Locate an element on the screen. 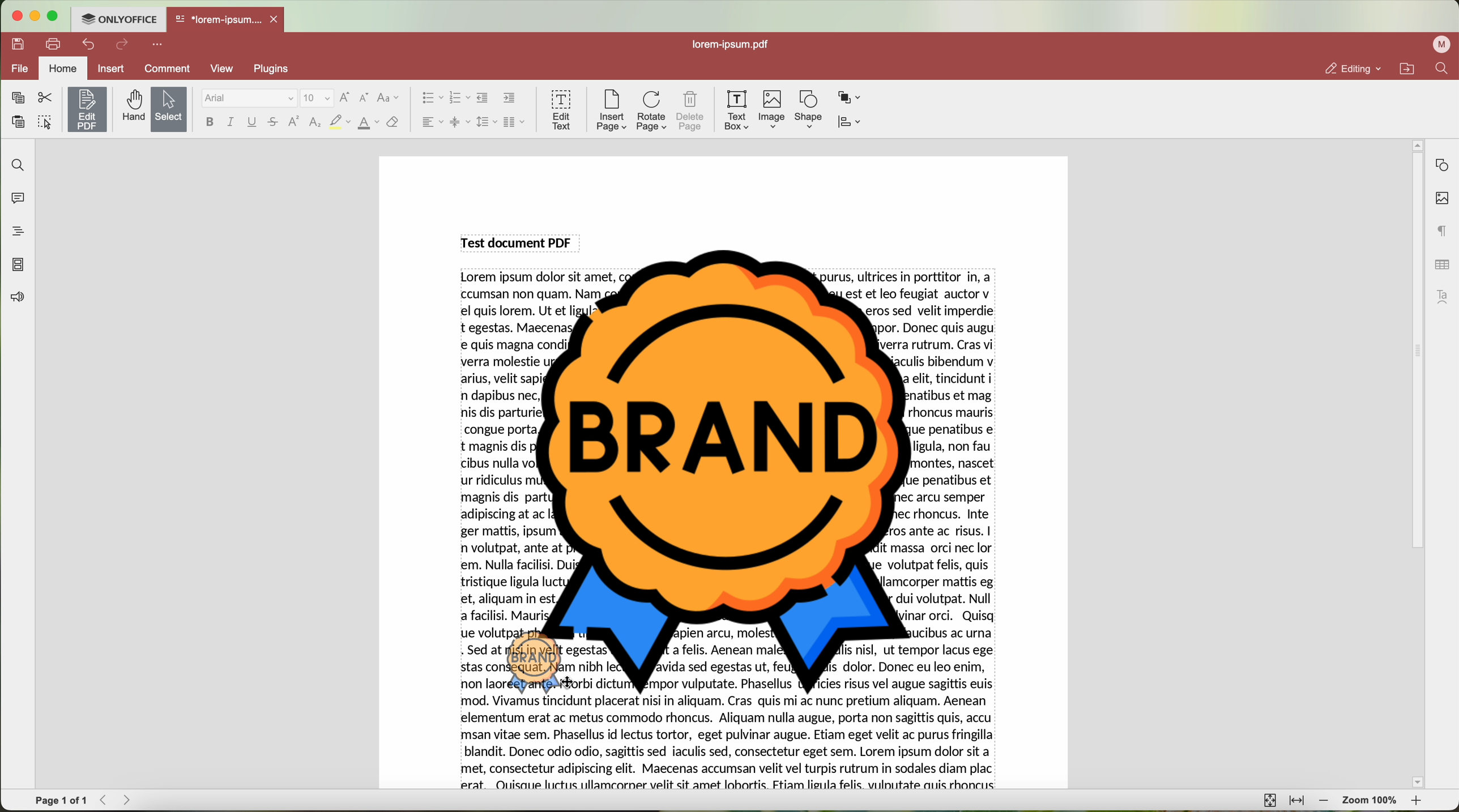  strikeout is located at coordinates (274, 123).